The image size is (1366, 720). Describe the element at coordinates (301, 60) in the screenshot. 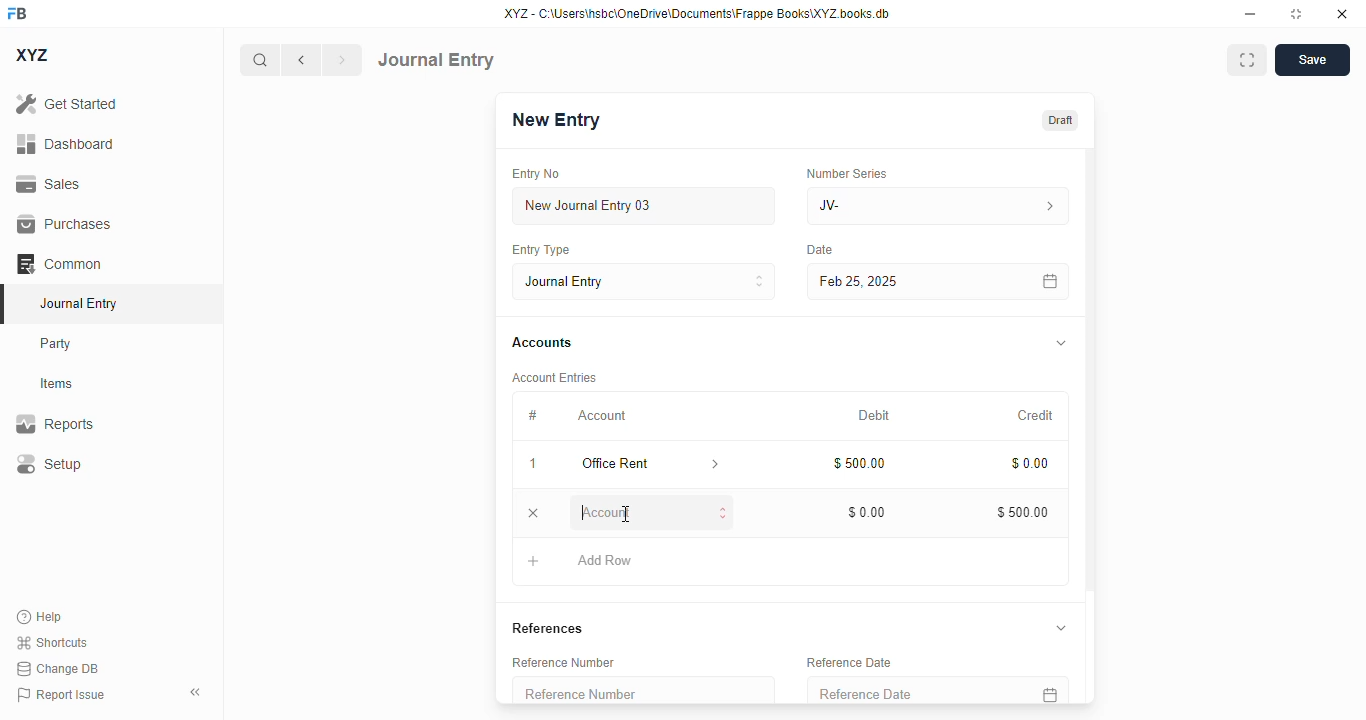

I see `previous` at that location.